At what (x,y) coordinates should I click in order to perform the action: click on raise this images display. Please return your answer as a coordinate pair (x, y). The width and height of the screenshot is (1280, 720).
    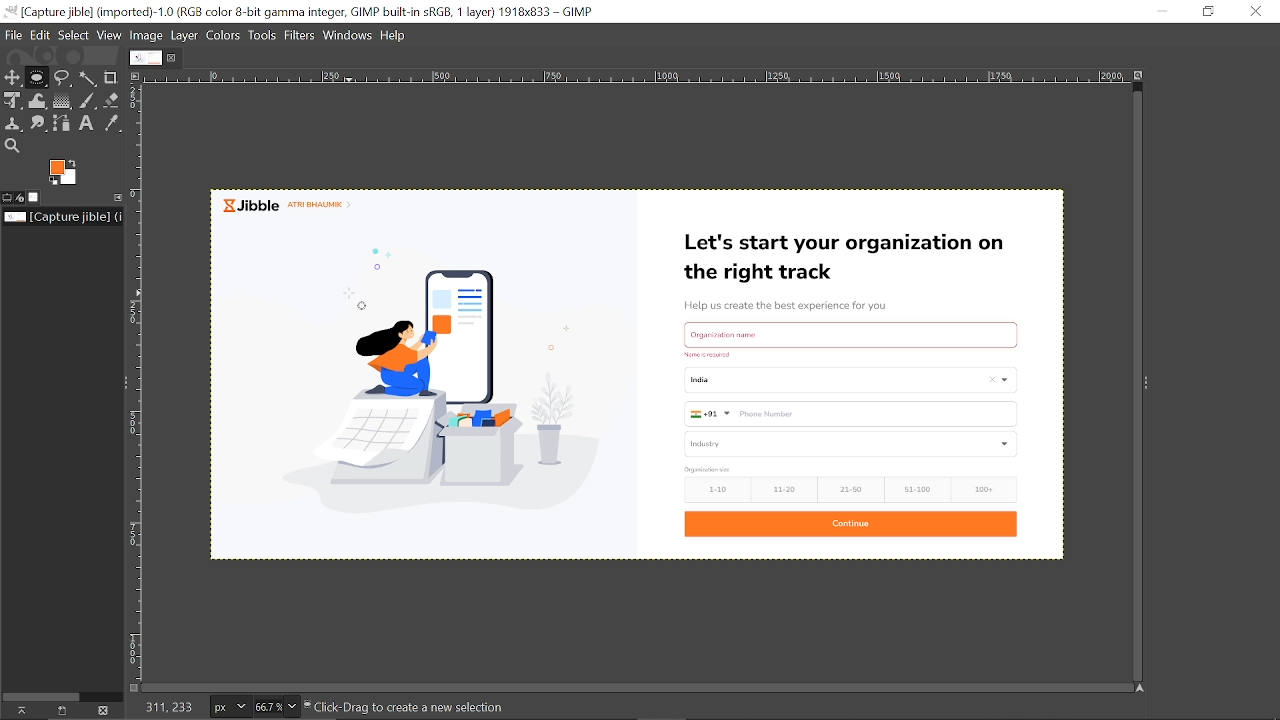
    Looking at the image, I should click on (18, 711).